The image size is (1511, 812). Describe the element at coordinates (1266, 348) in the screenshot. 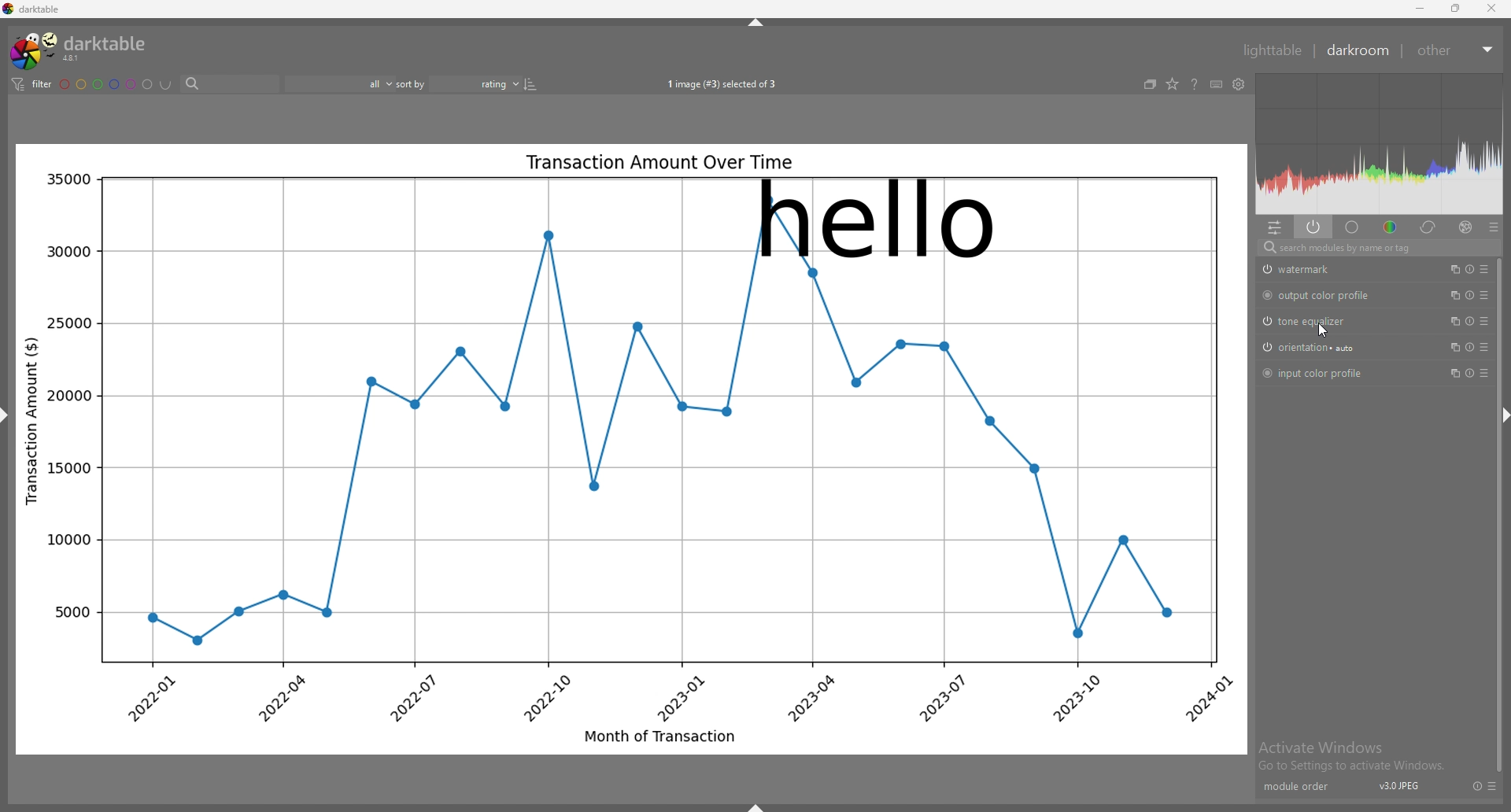

I see `switch off/on` at that location.